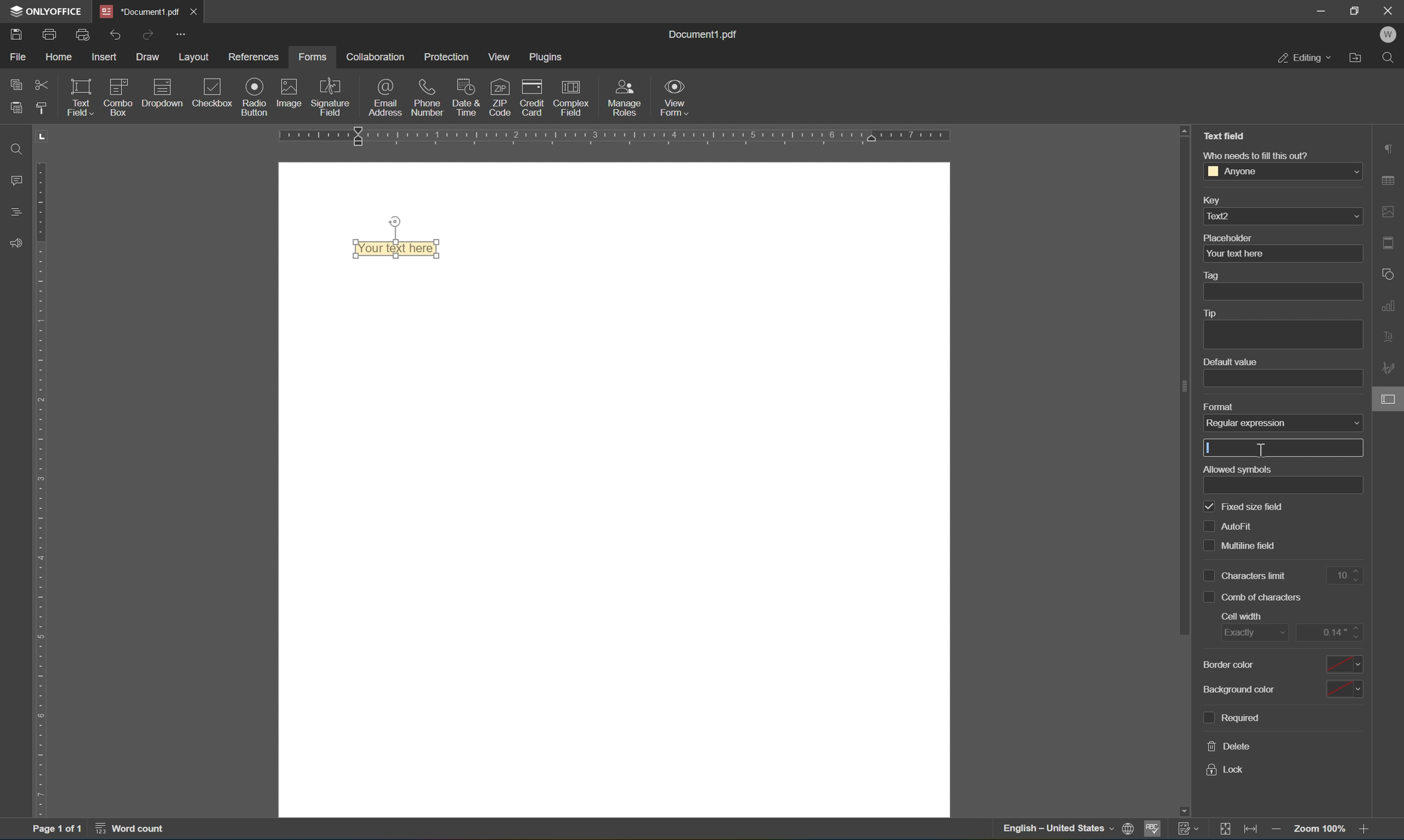  I want to click on ONLYOFFICE, so click(48, 11).